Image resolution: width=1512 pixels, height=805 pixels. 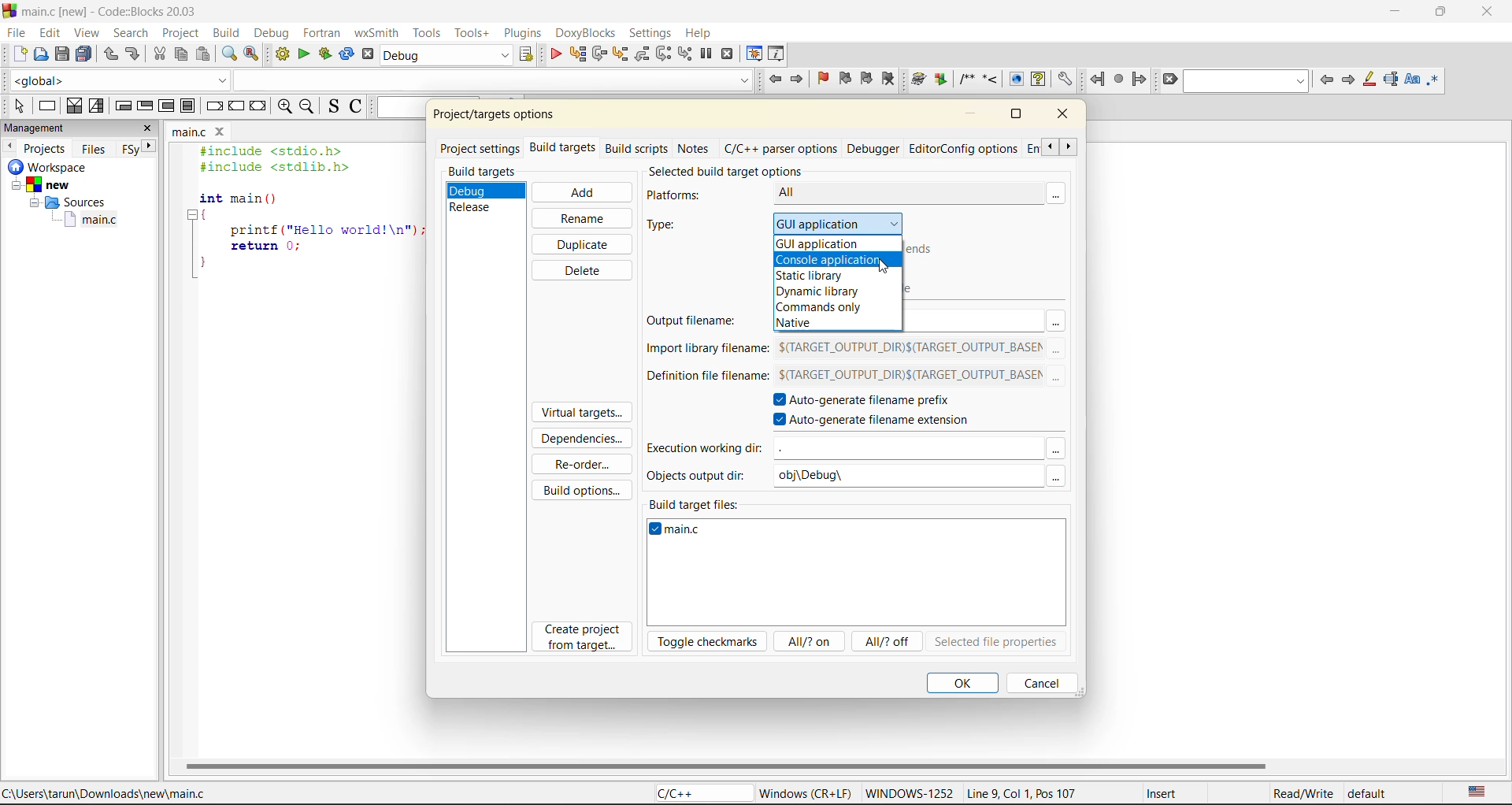 I want to click on zoom in, so click(x=283, y=107).